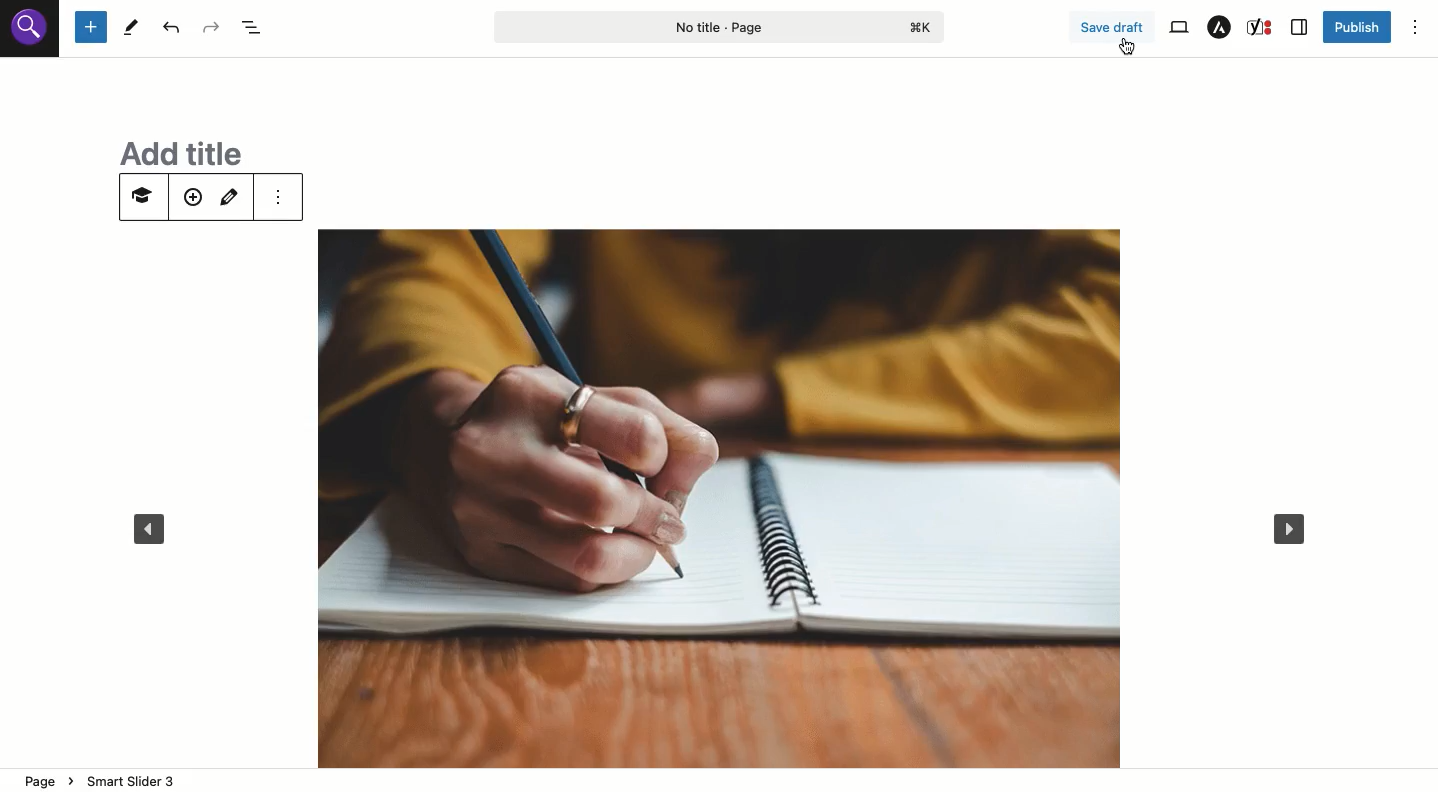  What do you see at coordinates (720, 26) in the screenshot?
I see `Page` at bounding box center [720, 26].